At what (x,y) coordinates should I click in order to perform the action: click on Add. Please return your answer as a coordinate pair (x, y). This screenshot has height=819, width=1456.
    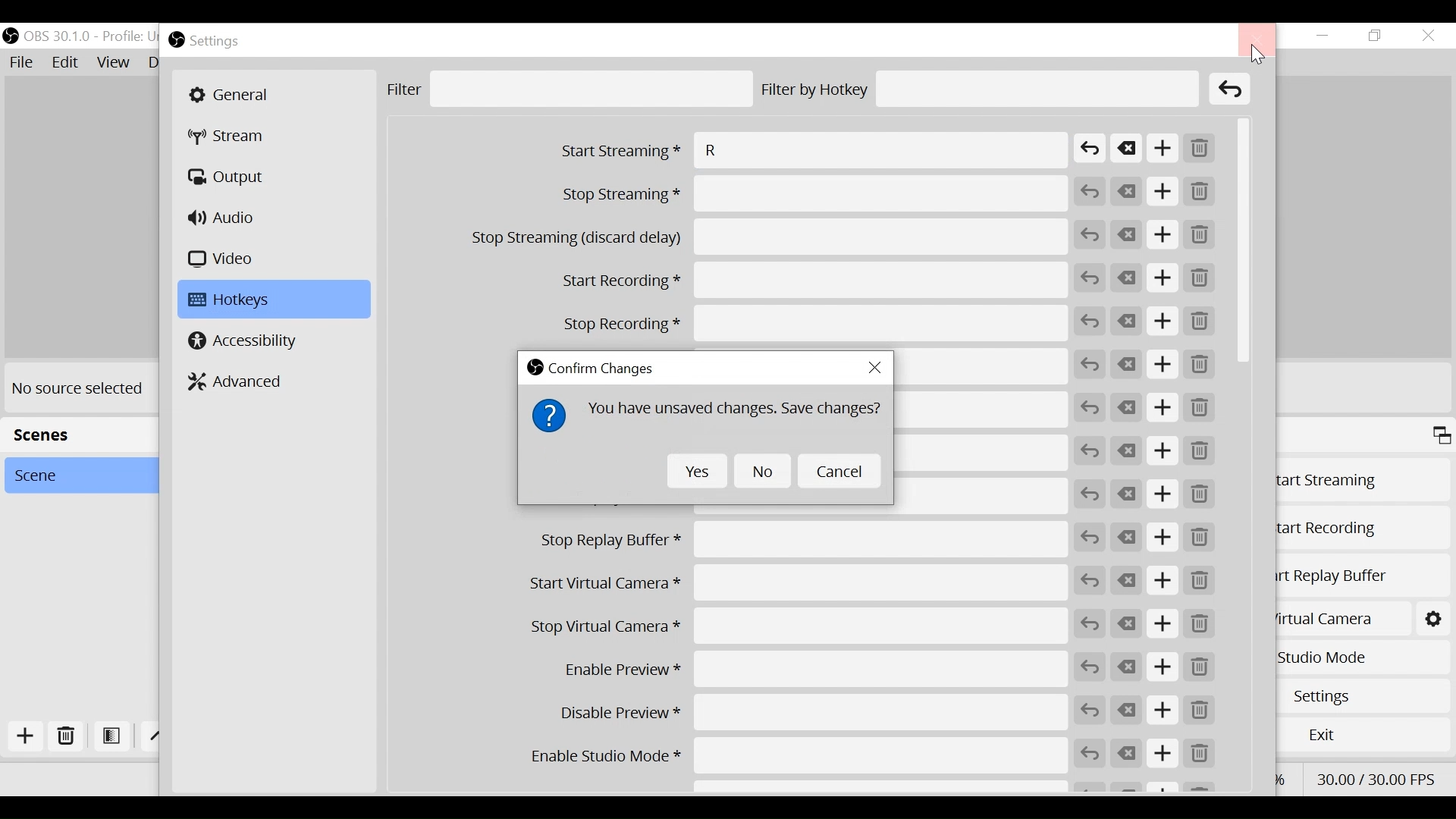
    Looking at the image, I should click on (1163, 366).